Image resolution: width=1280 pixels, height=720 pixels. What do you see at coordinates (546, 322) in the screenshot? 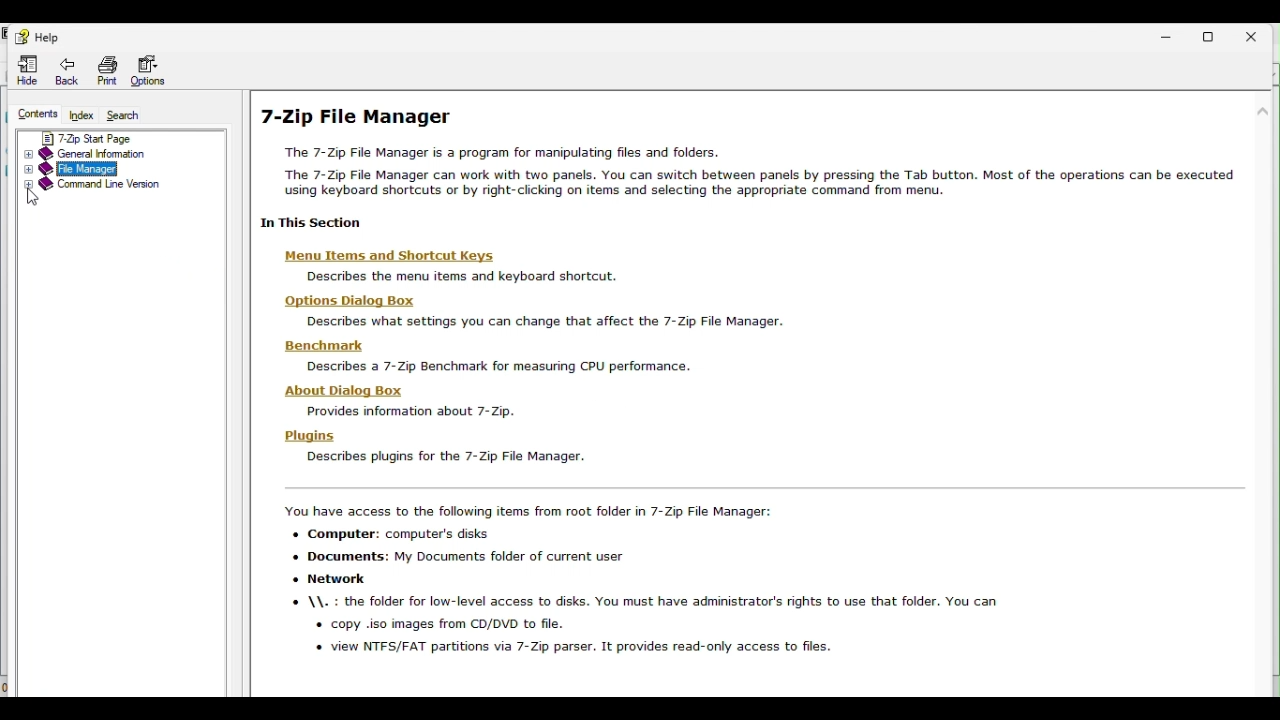
I see `description text` at bounding box center [546, 322].